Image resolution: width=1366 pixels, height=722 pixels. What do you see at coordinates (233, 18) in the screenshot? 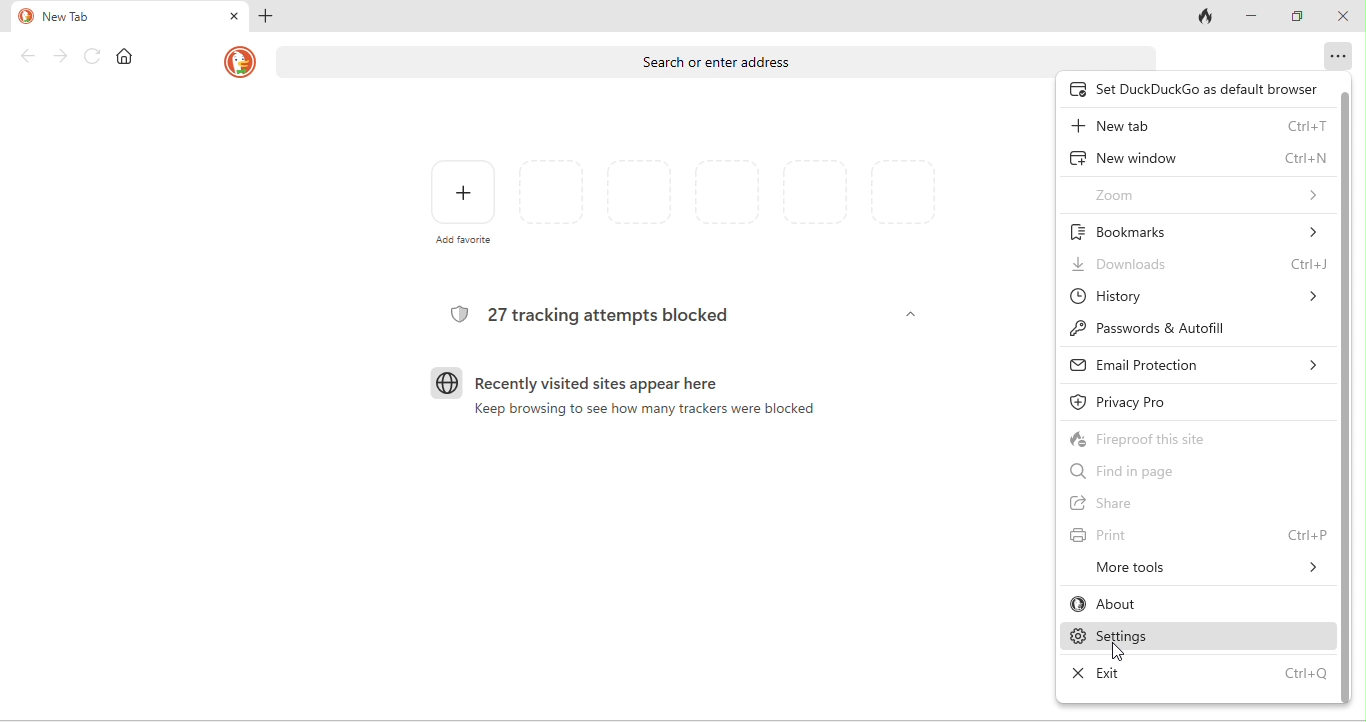
I see `close` at bounding box center [233, 18].